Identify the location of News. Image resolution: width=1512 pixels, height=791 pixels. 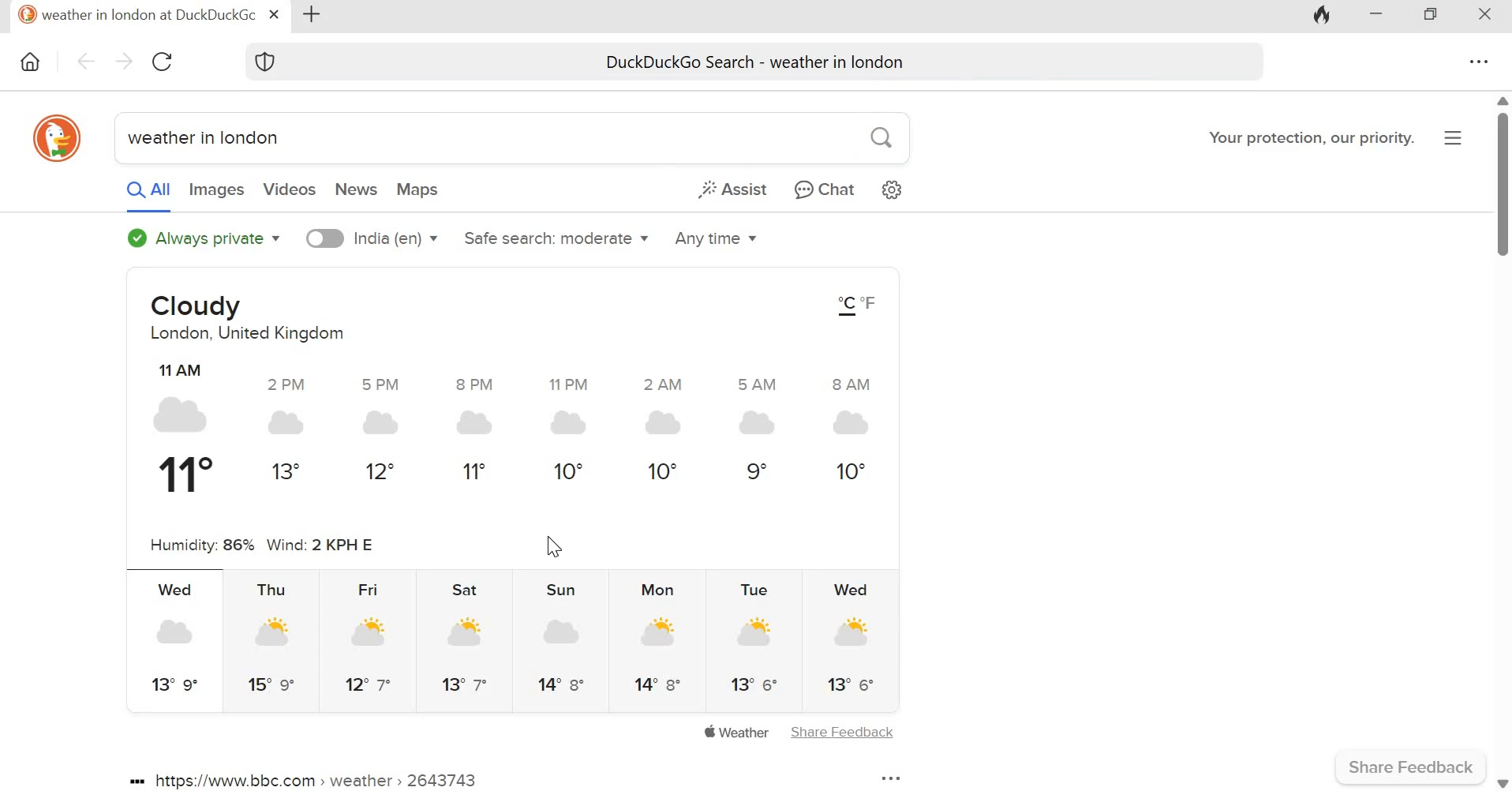
(355, 189).